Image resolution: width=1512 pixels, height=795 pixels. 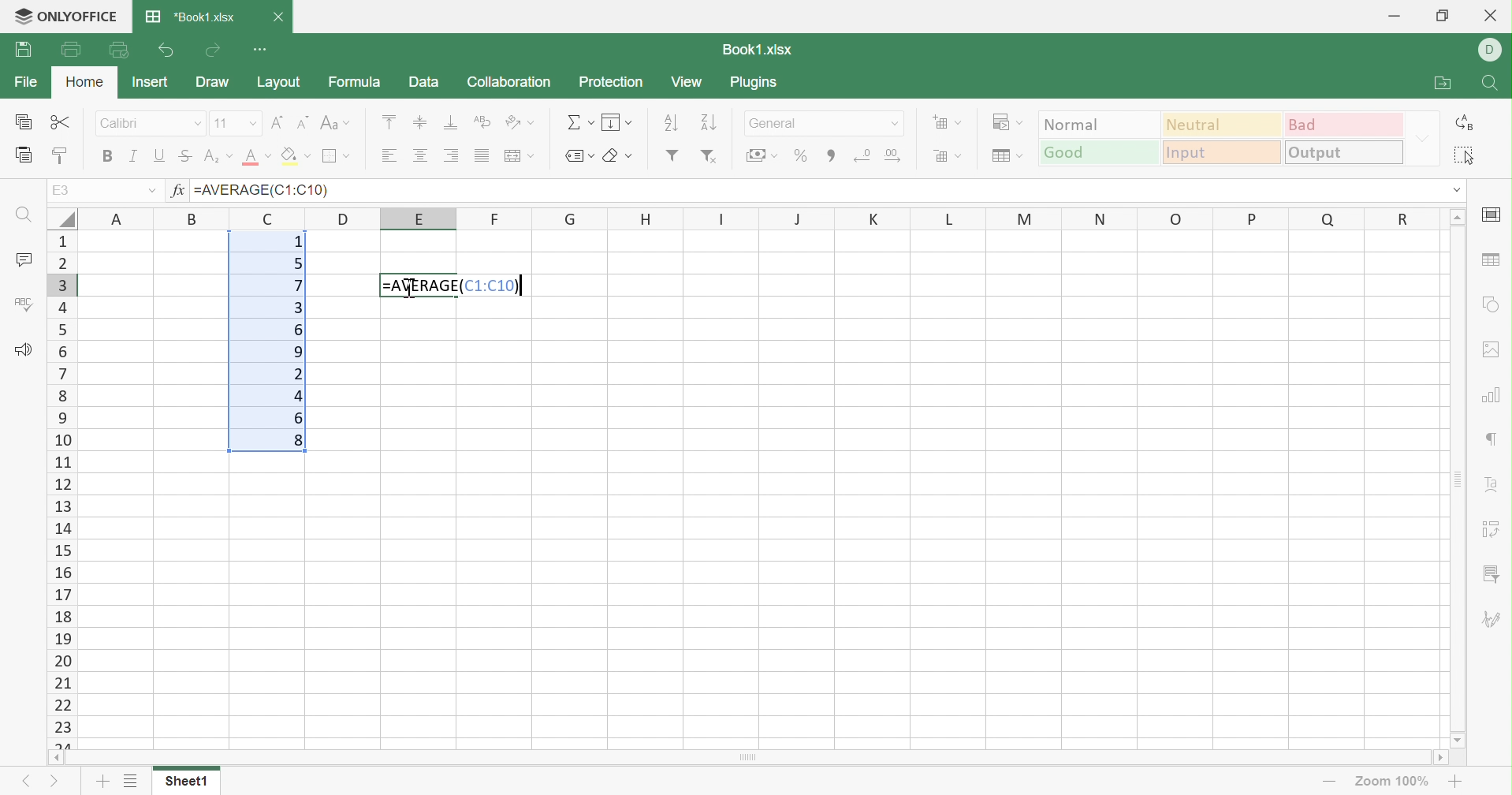 What do you see at coordinates (102, 783) in the screenshot?
I see `Add sheet` at bounding box center [102, 783].